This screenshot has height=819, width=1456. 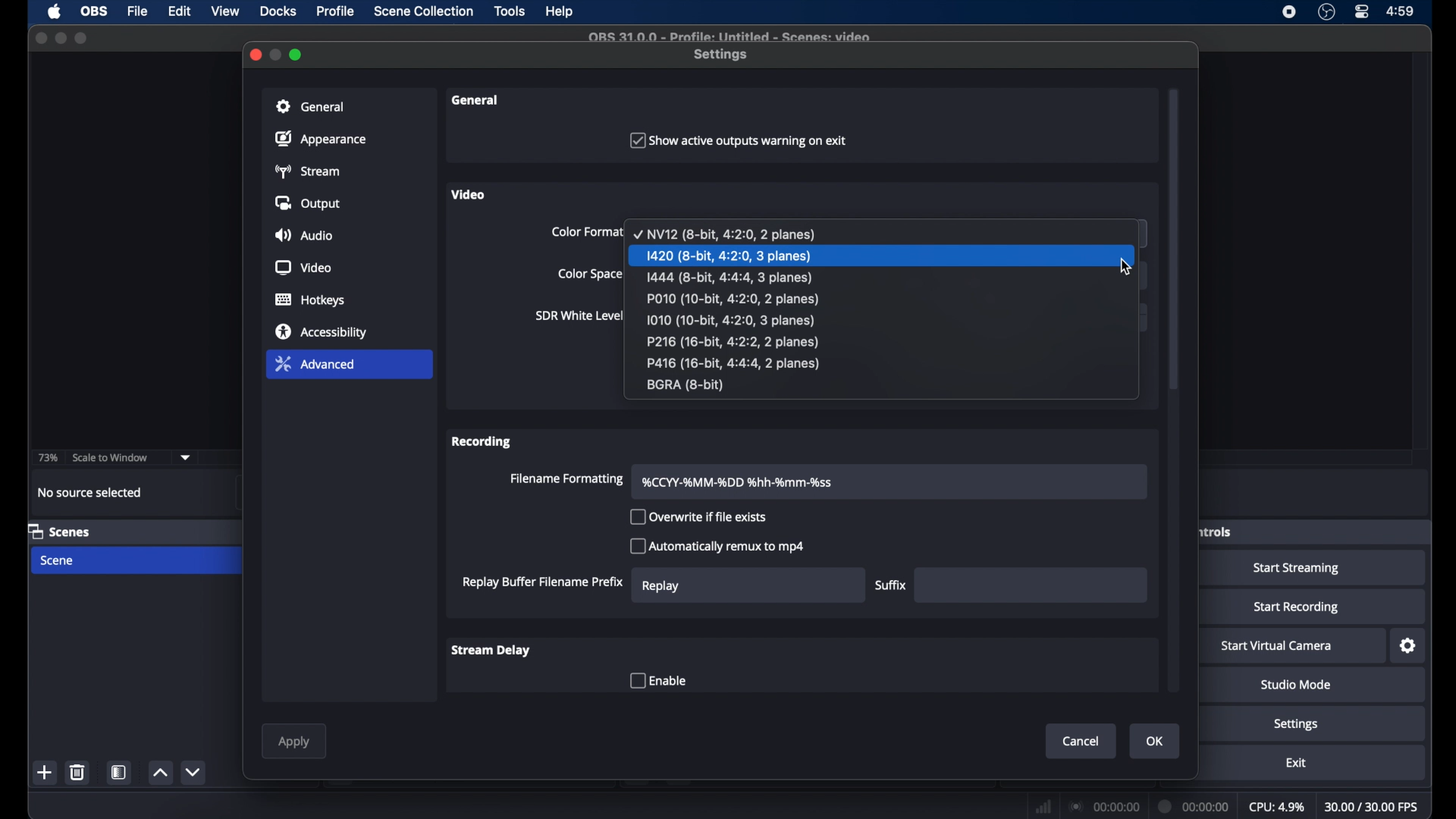 What do you see at coordinates (1407, 646) in the screenshot?
I see `settings` at bounding box center [1407, 646].